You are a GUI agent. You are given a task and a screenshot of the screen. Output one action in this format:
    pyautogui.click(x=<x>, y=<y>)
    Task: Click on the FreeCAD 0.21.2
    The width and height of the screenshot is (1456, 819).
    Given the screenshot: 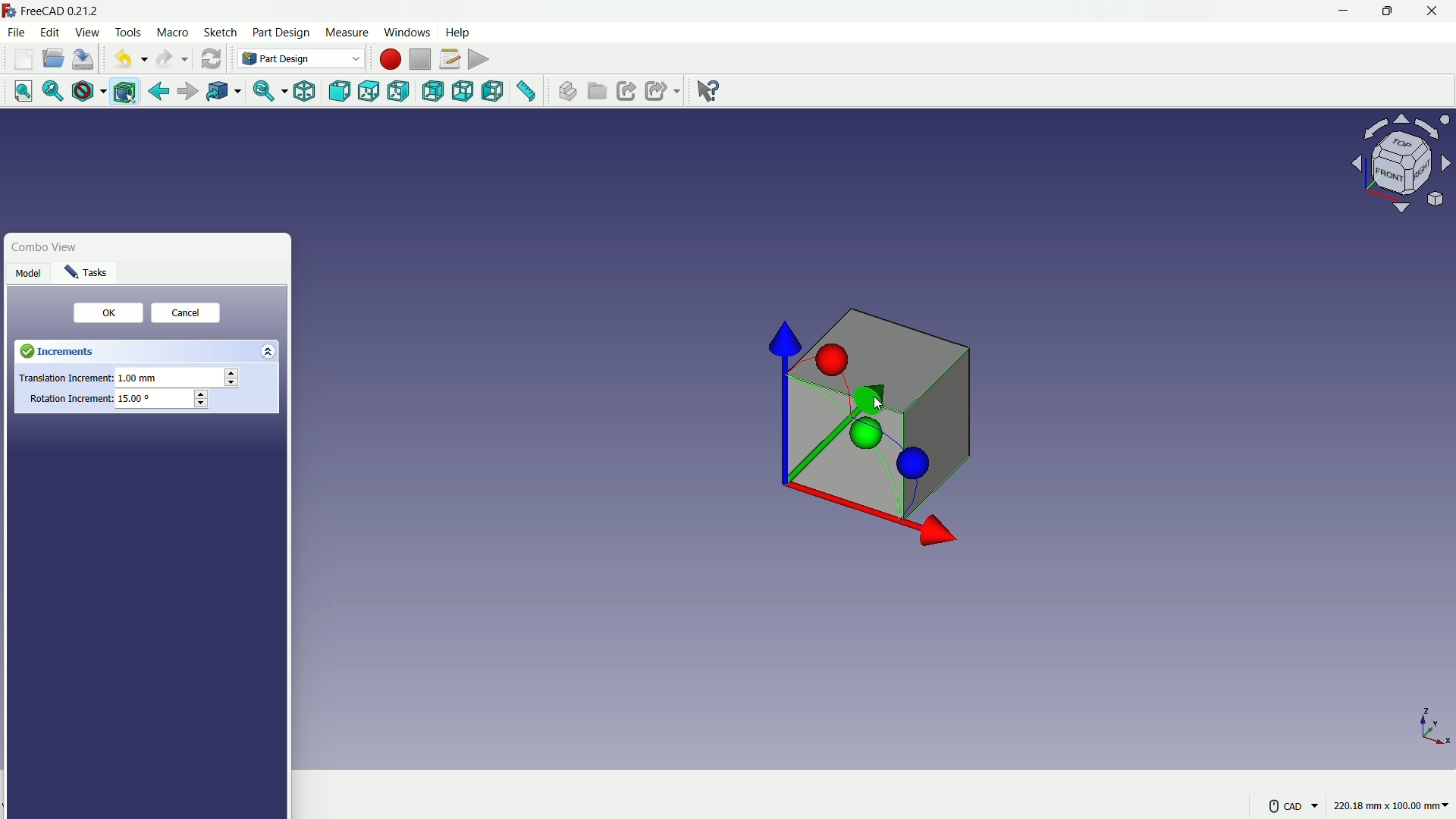 What is the action you would take?
    pyautogui.click(x=53, y=10)
    